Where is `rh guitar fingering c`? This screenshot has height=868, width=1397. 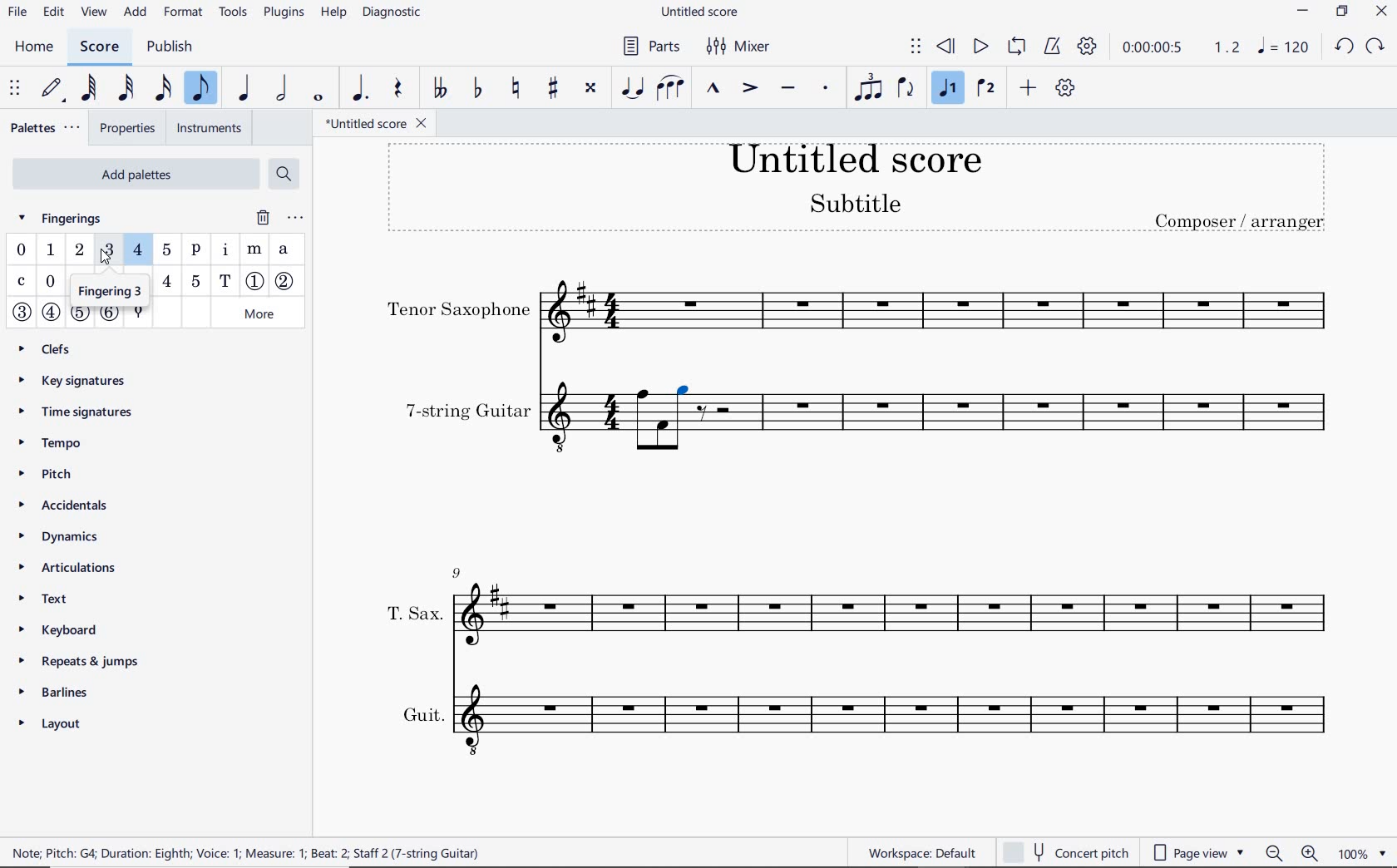
rh guitar fingering c is located at coordinates (23, 282).